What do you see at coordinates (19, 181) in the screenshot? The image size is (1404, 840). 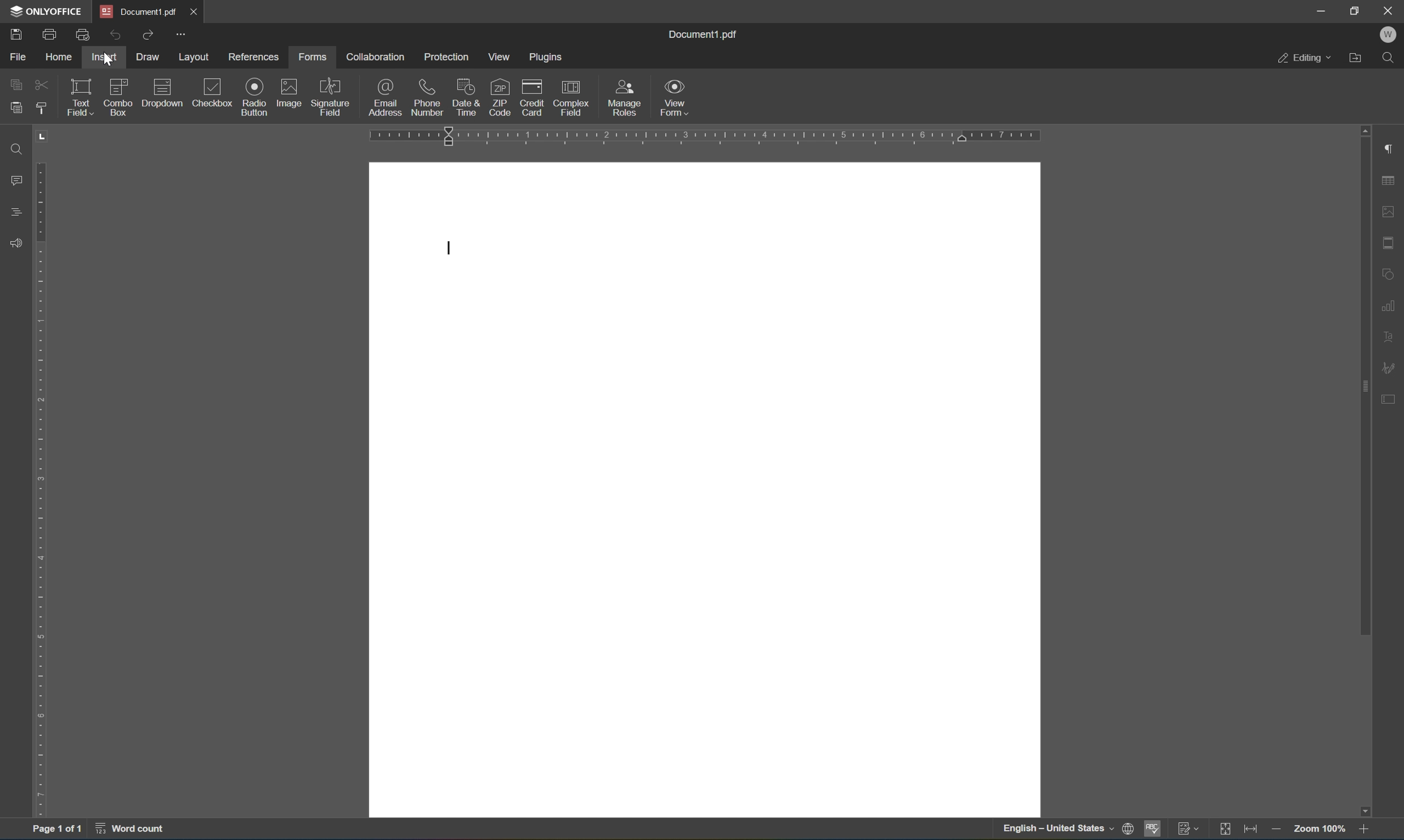 I see `Comments` at bounding box center [19, 181].